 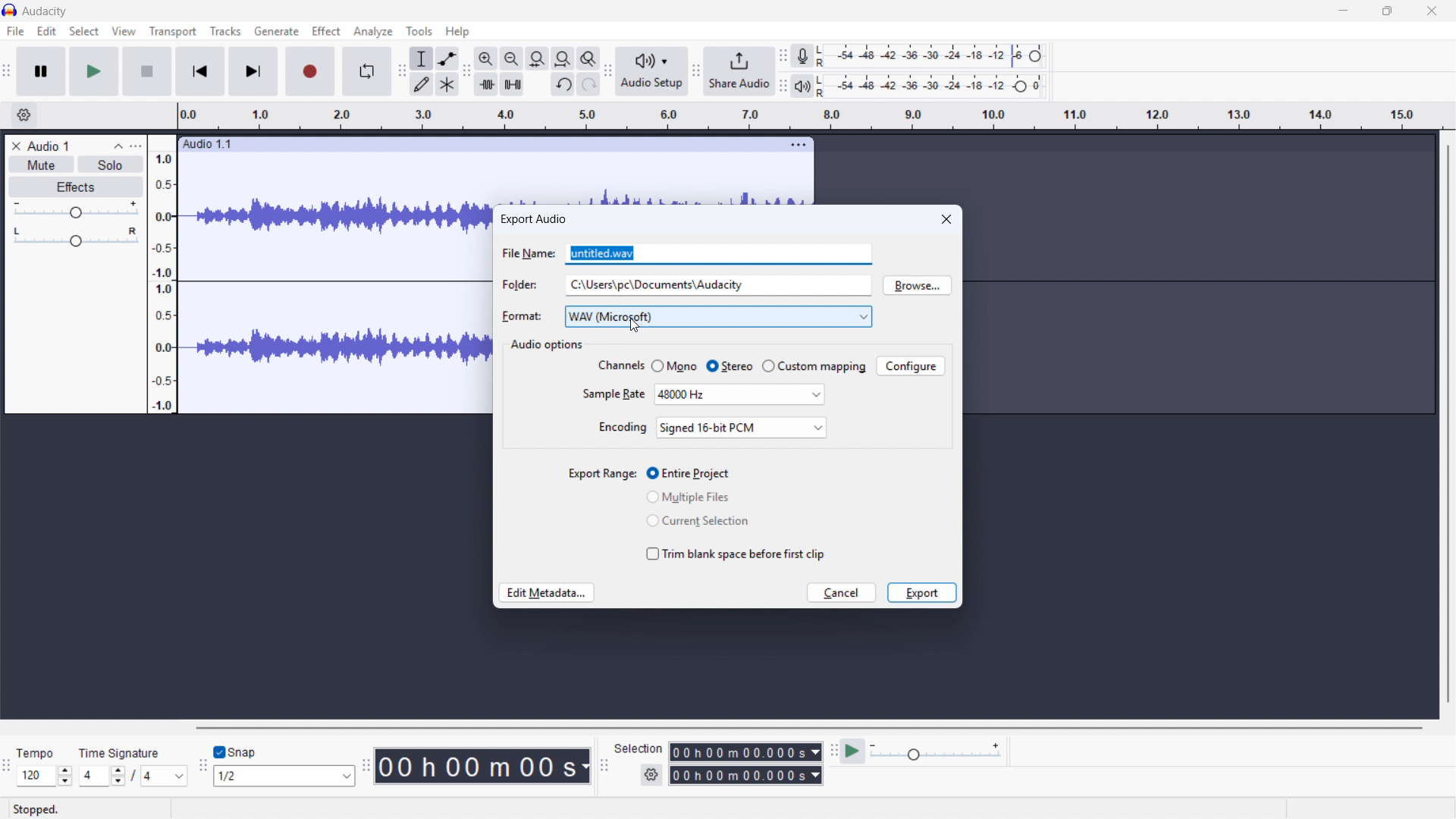 What do you see at coordinates (719, 317) in the screenshot?
I see `Export format ` at bounding box center [719, 317].